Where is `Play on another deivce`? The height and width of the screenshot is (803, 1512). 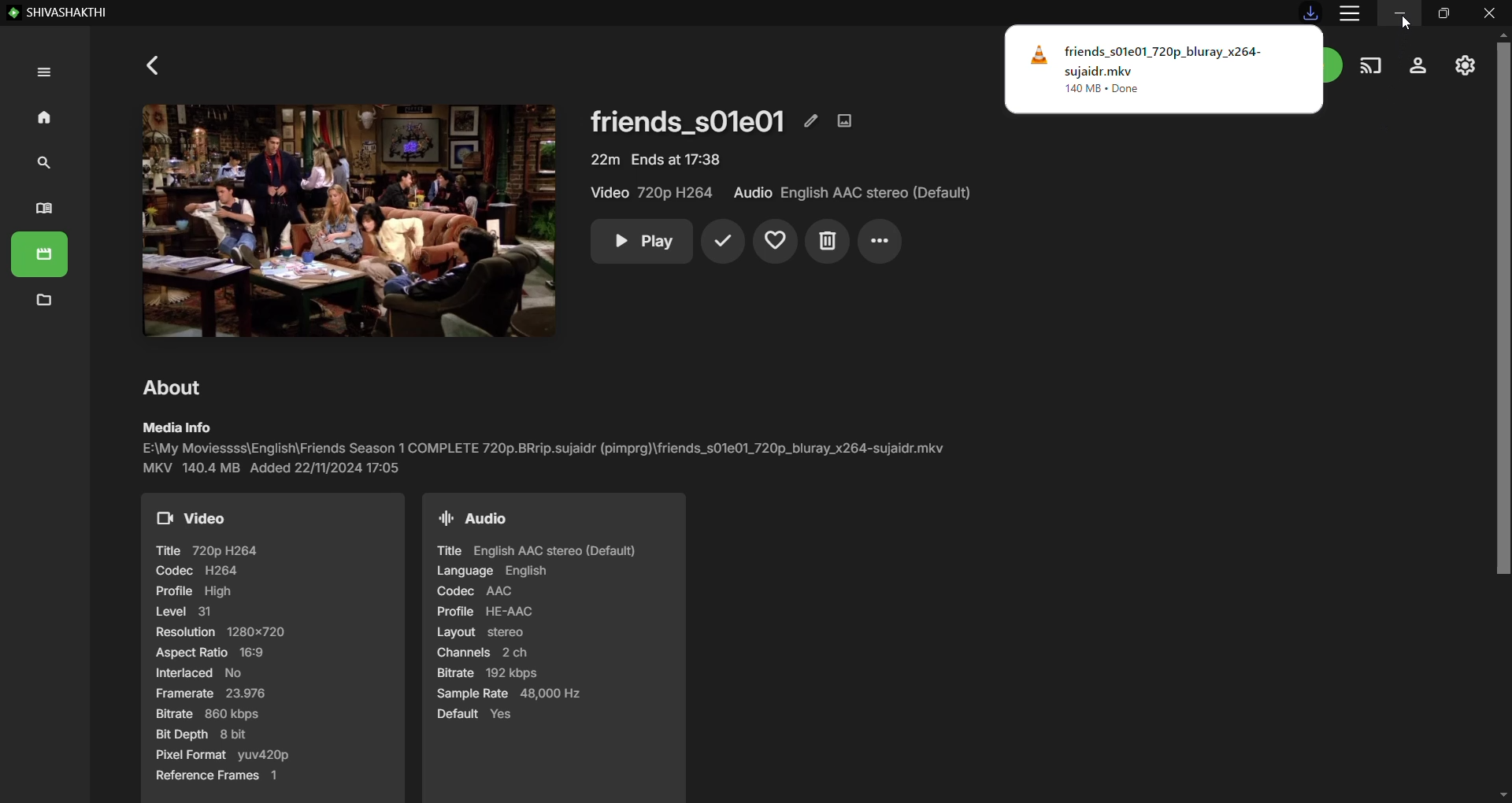 Play on another deivce is located at coordinates (1371, 66).